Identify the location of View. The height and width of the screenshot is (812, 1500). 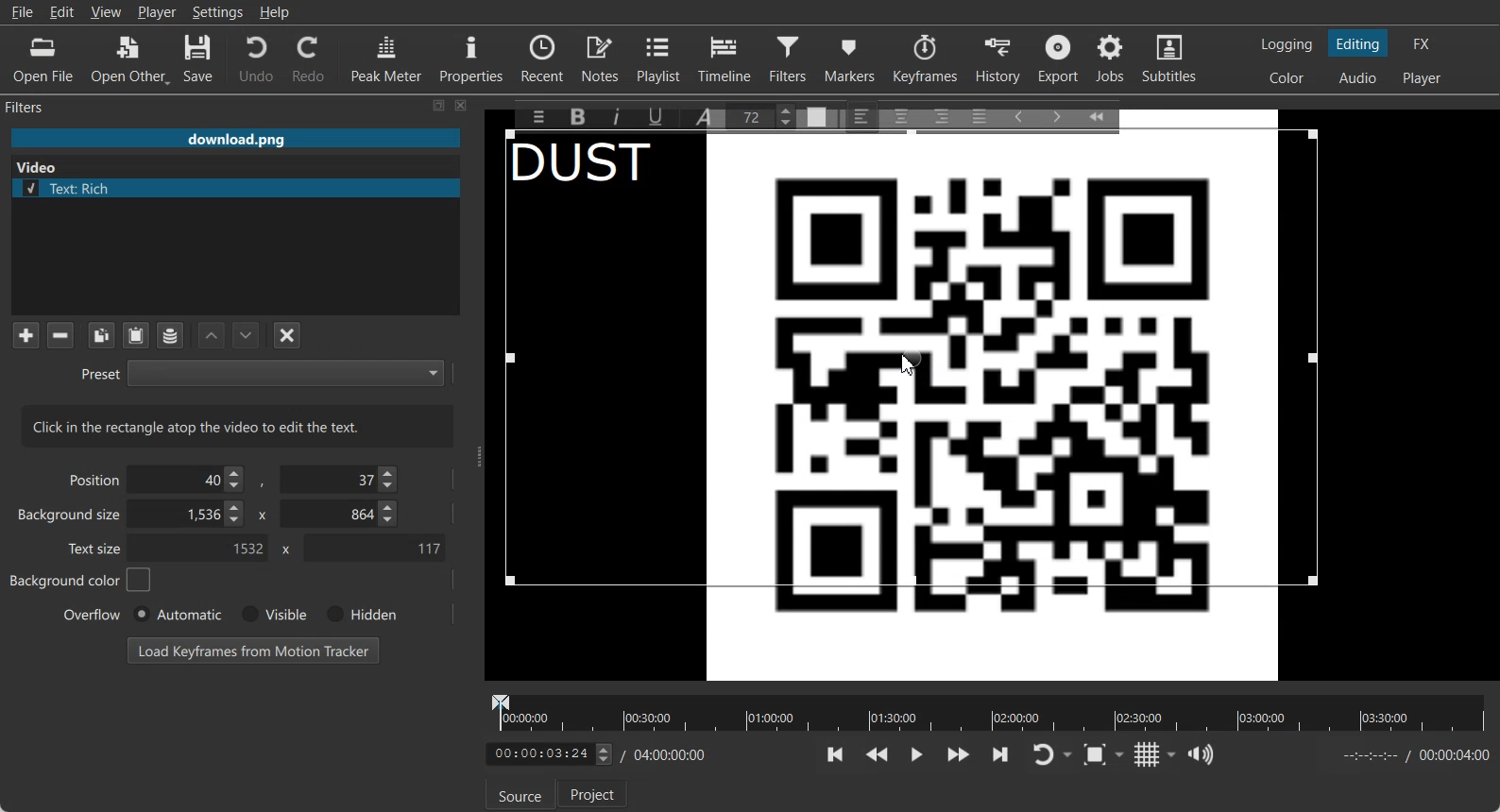
(106, 11).